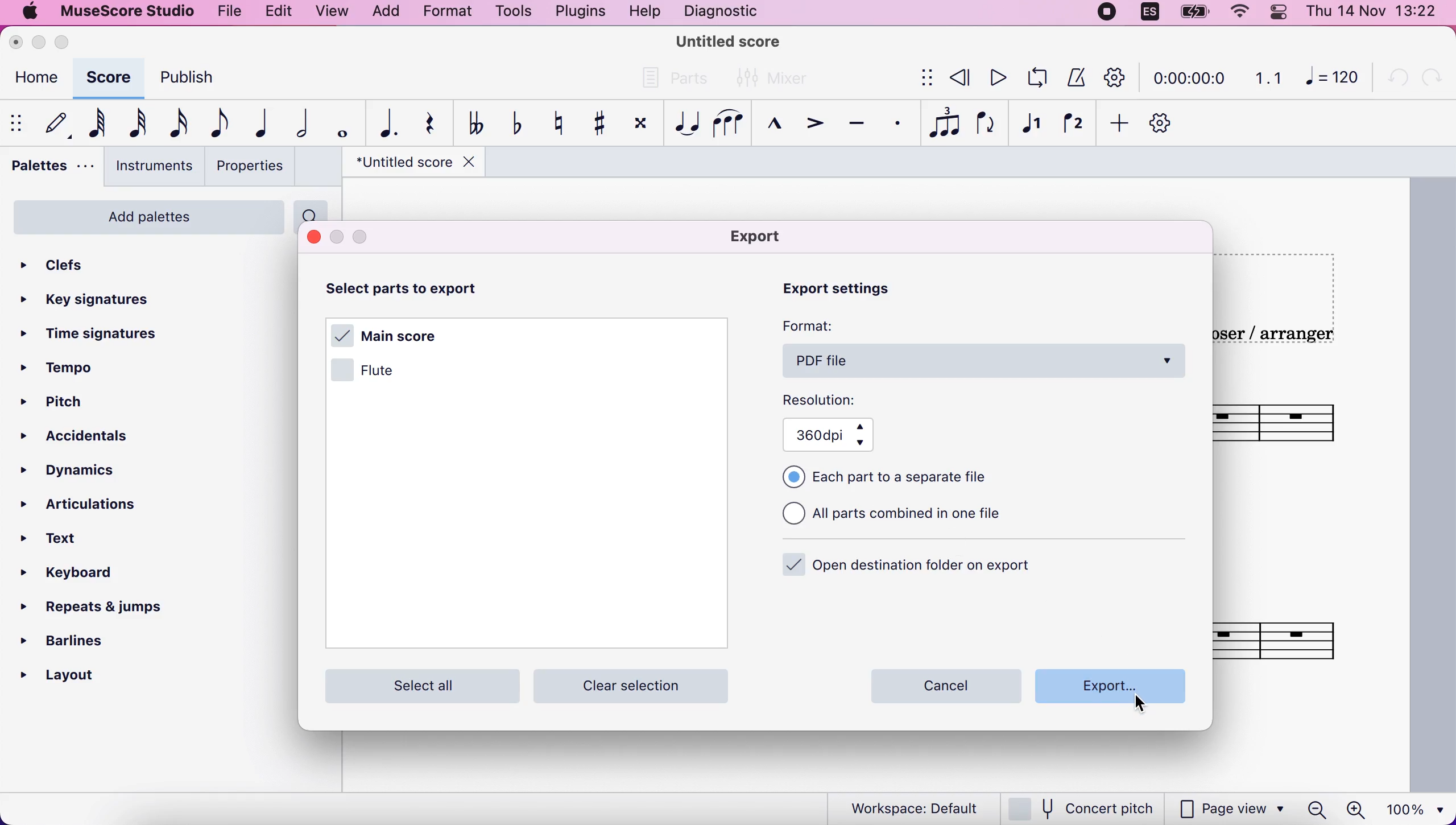  I want to click on add, so click(1115, 121).